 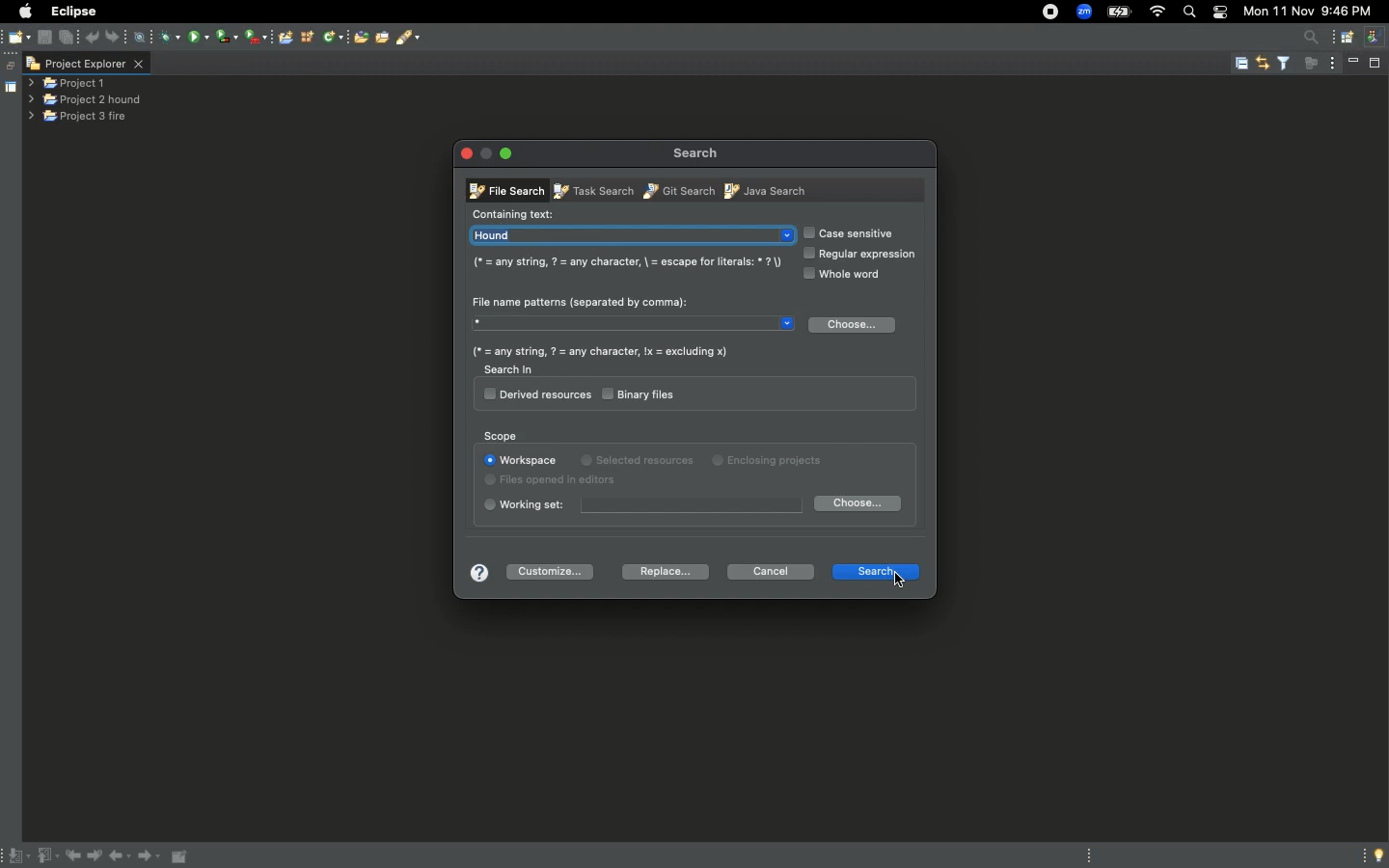 I want to click on run, so click(x=199, y=36).